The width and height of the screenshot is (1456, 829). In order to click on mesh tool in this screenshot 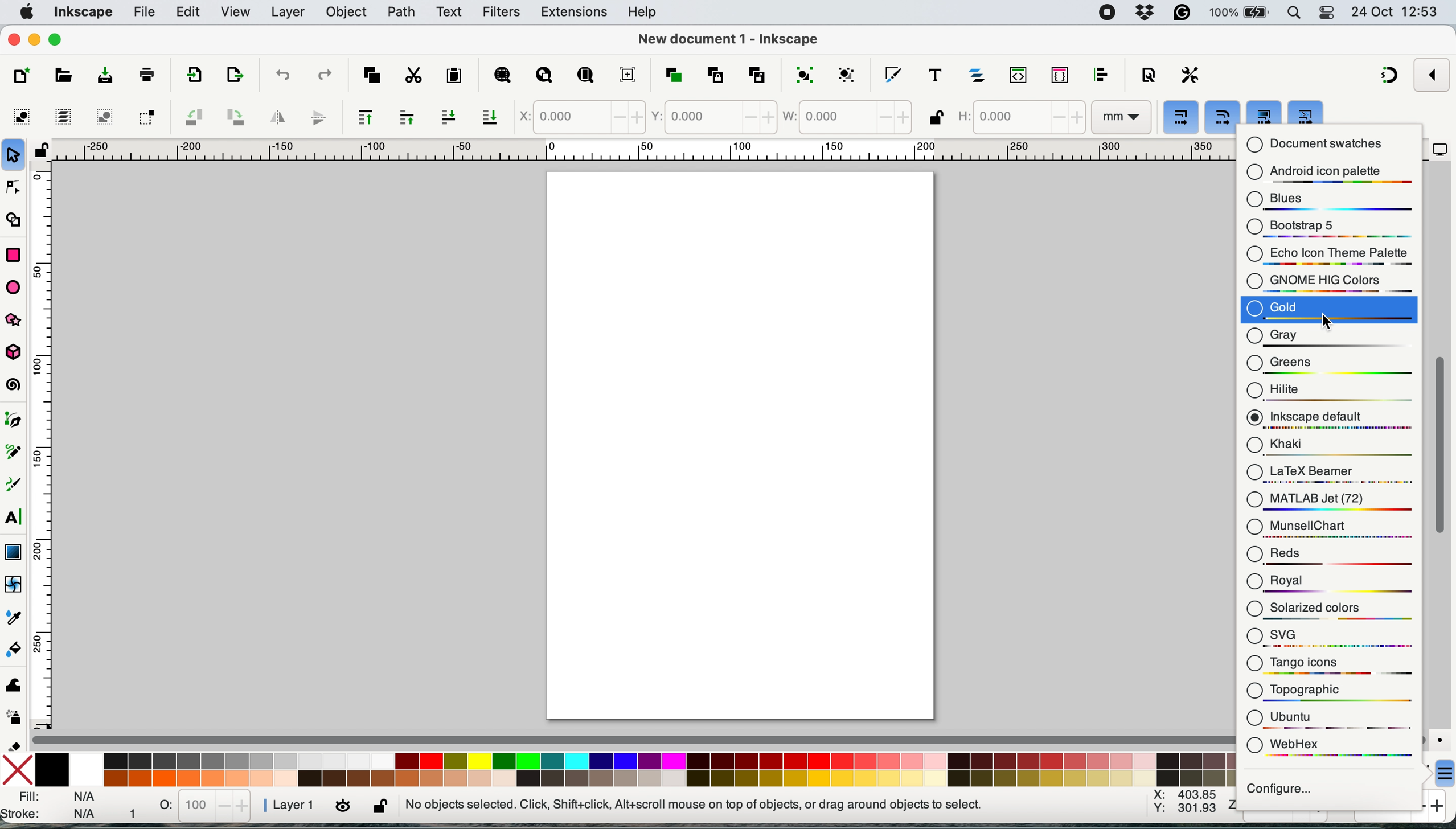, I will do `click(16, 586)`.